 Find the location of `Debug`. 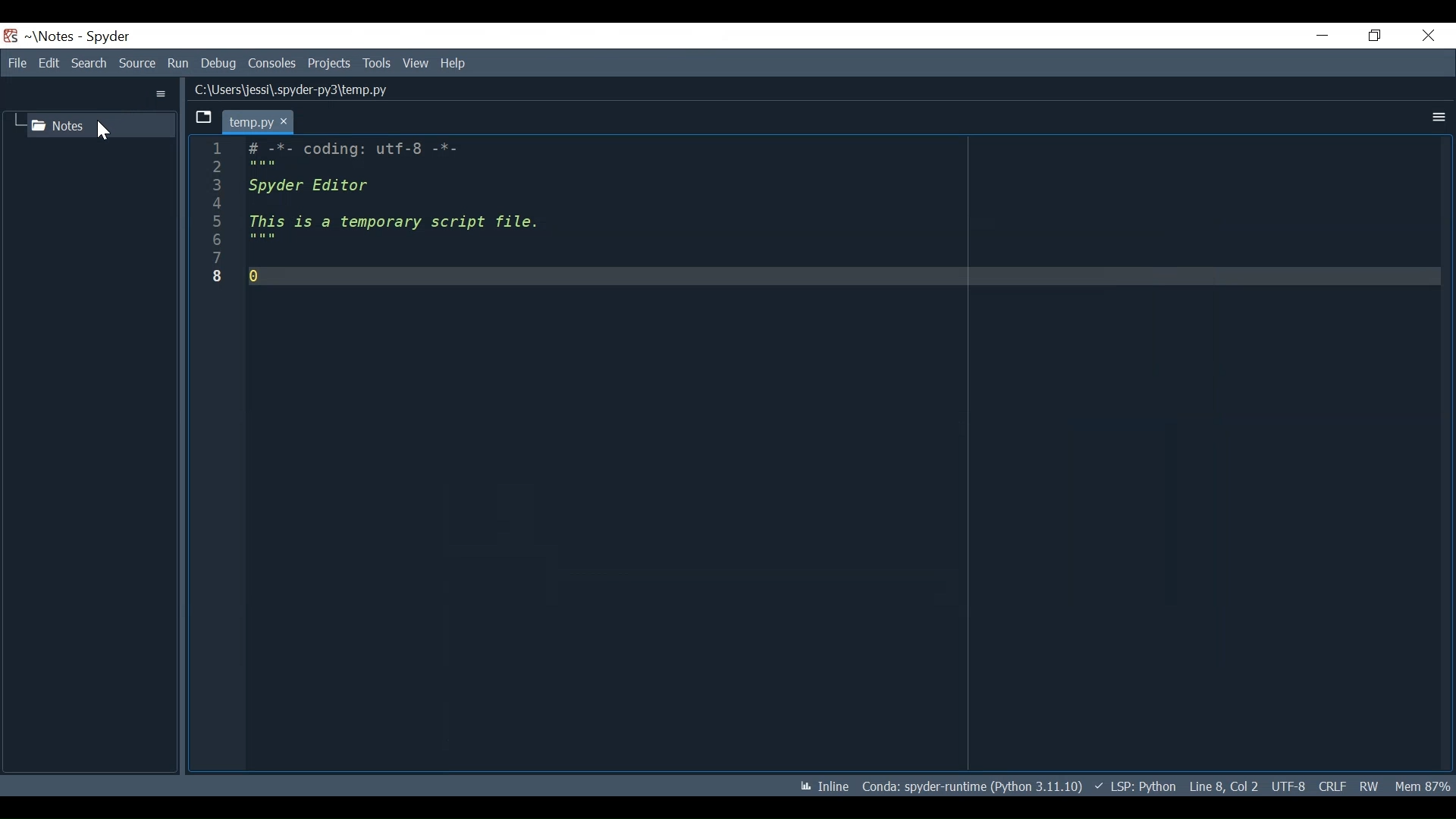

Debug is located at coordinates (218, 63).